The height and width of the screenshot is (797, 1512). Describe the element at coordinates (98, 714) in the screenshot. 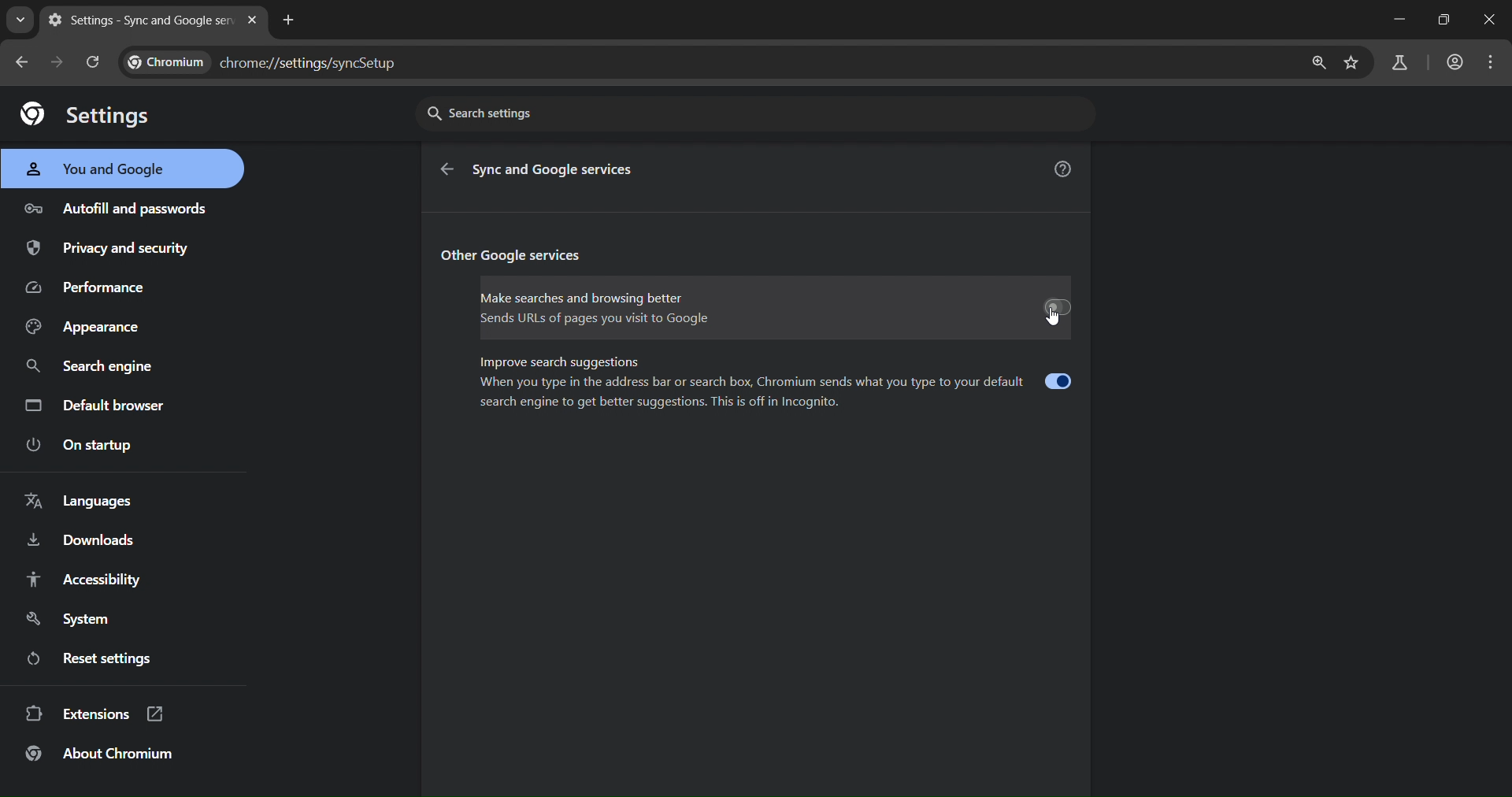

I see `extensions` at that location.